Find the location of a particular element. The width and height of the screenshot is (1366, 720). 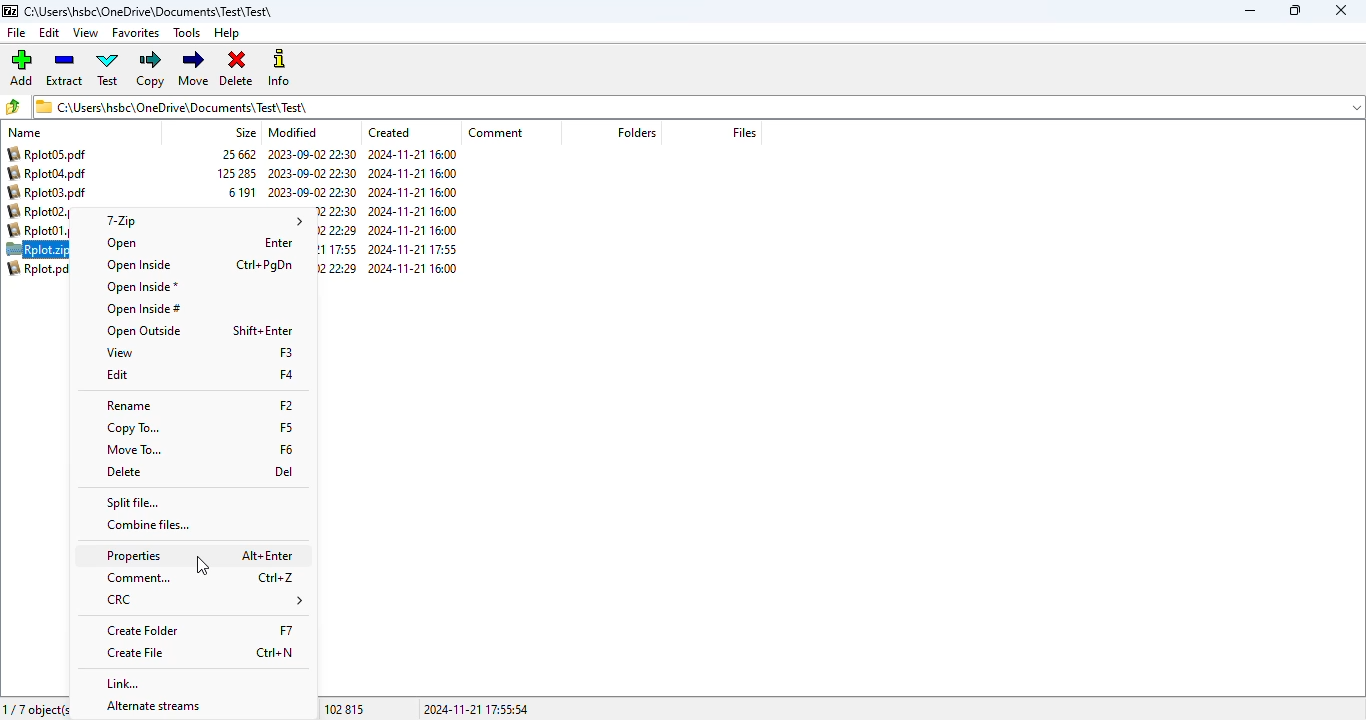

Ctrl+N is located at coordinates (275, 652).